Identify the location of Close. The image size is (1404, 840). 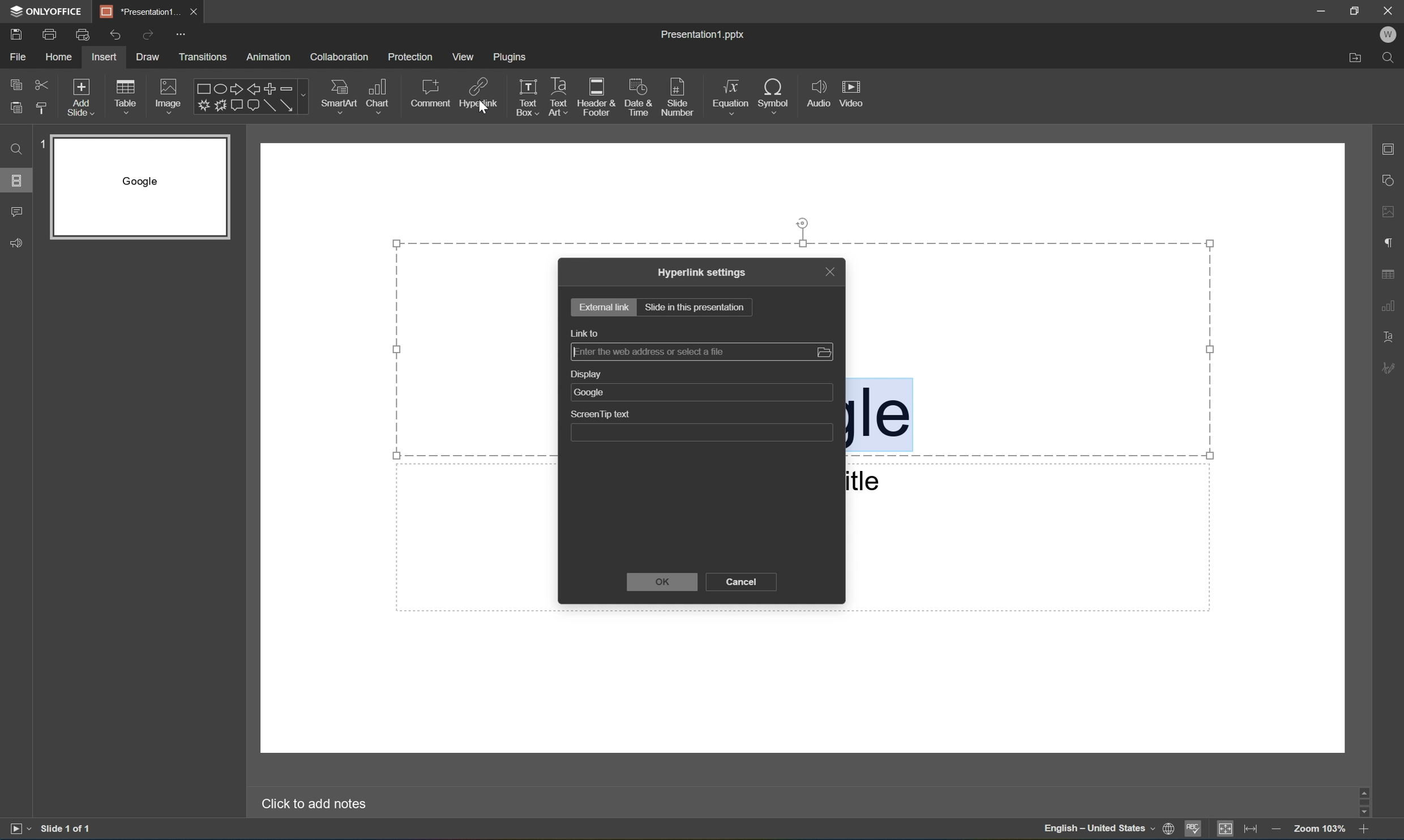
(829, 271).